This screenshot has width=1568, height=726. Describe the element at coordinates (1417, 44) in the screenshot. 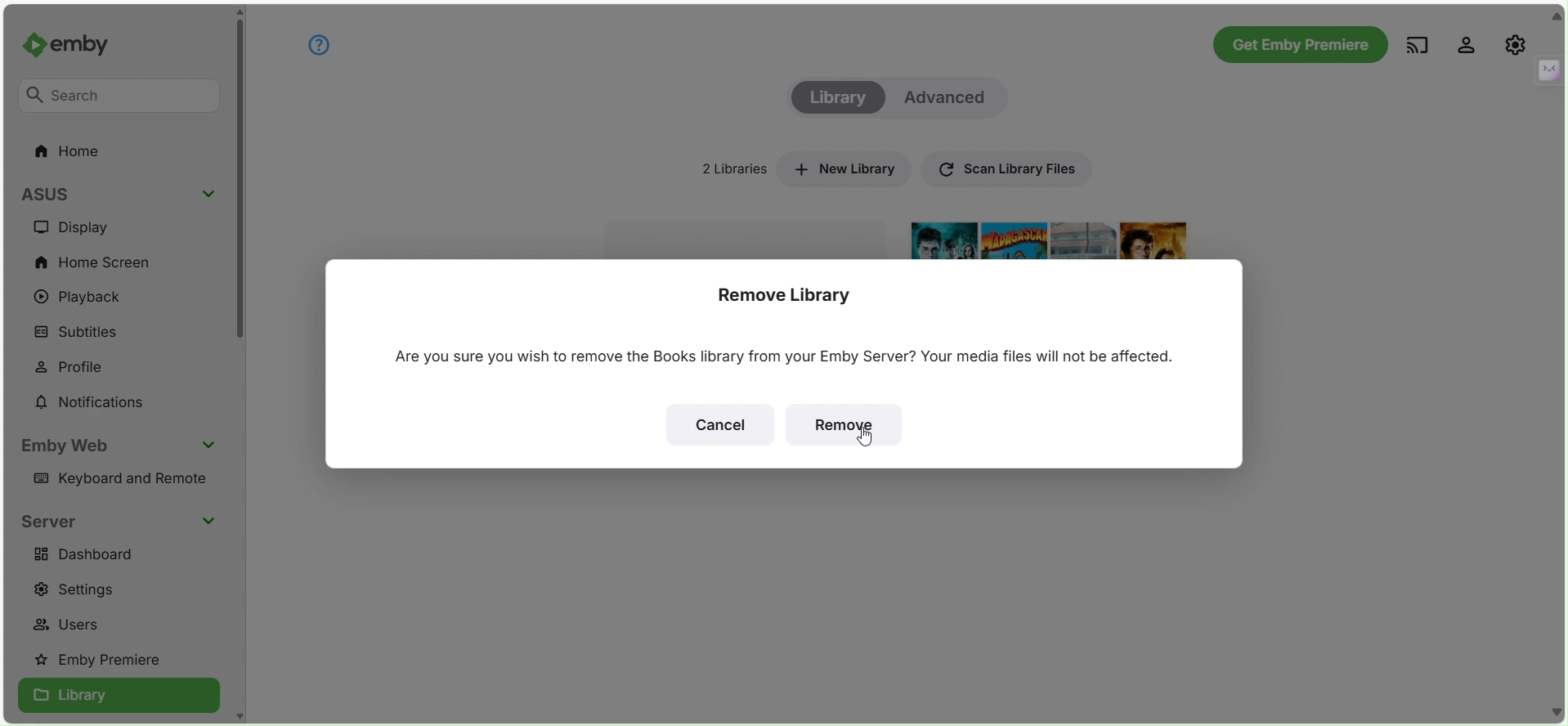

I see `Play on another device` at that location.